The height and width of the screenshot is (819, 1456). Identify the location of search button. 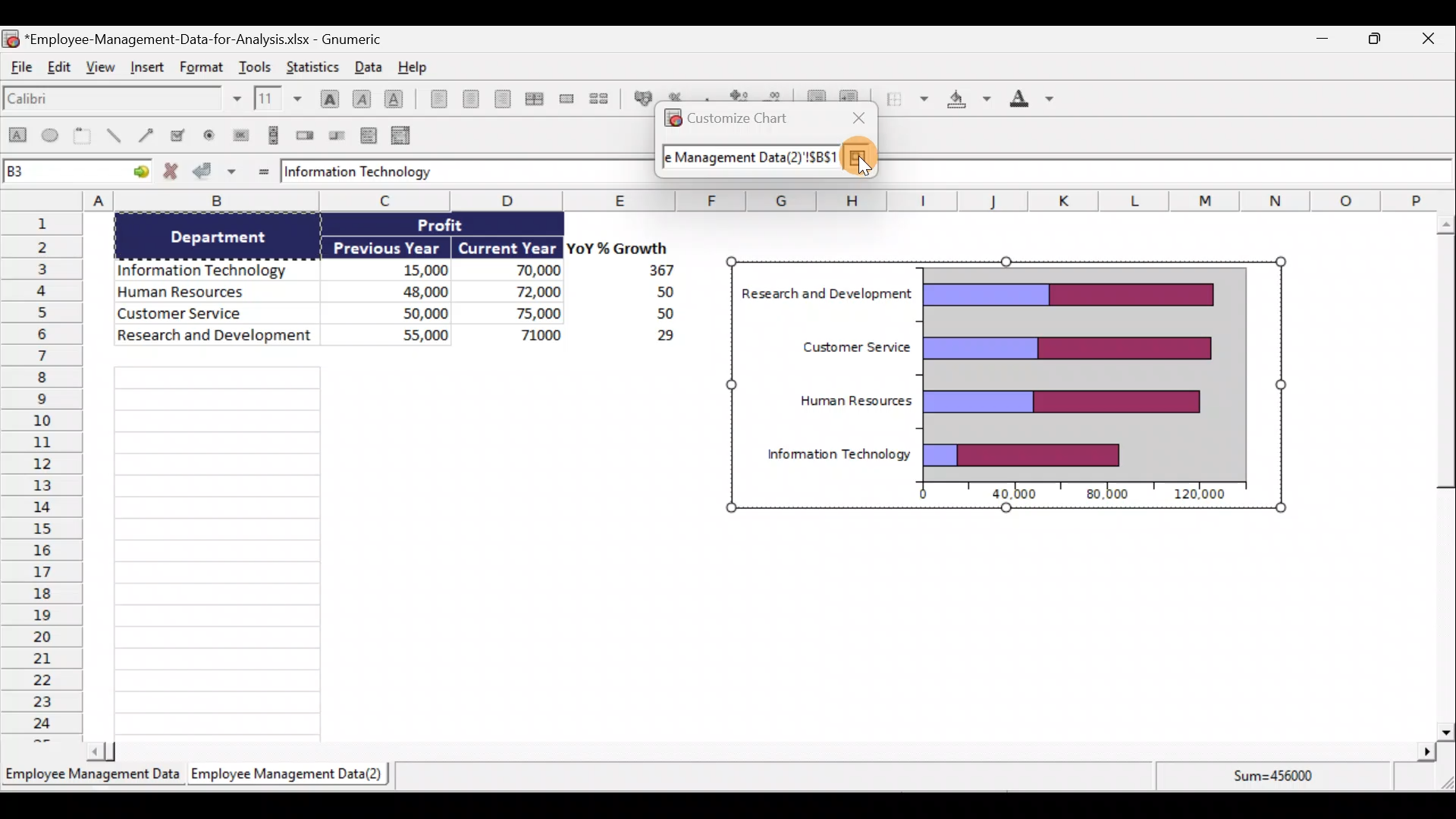
(856, 158).